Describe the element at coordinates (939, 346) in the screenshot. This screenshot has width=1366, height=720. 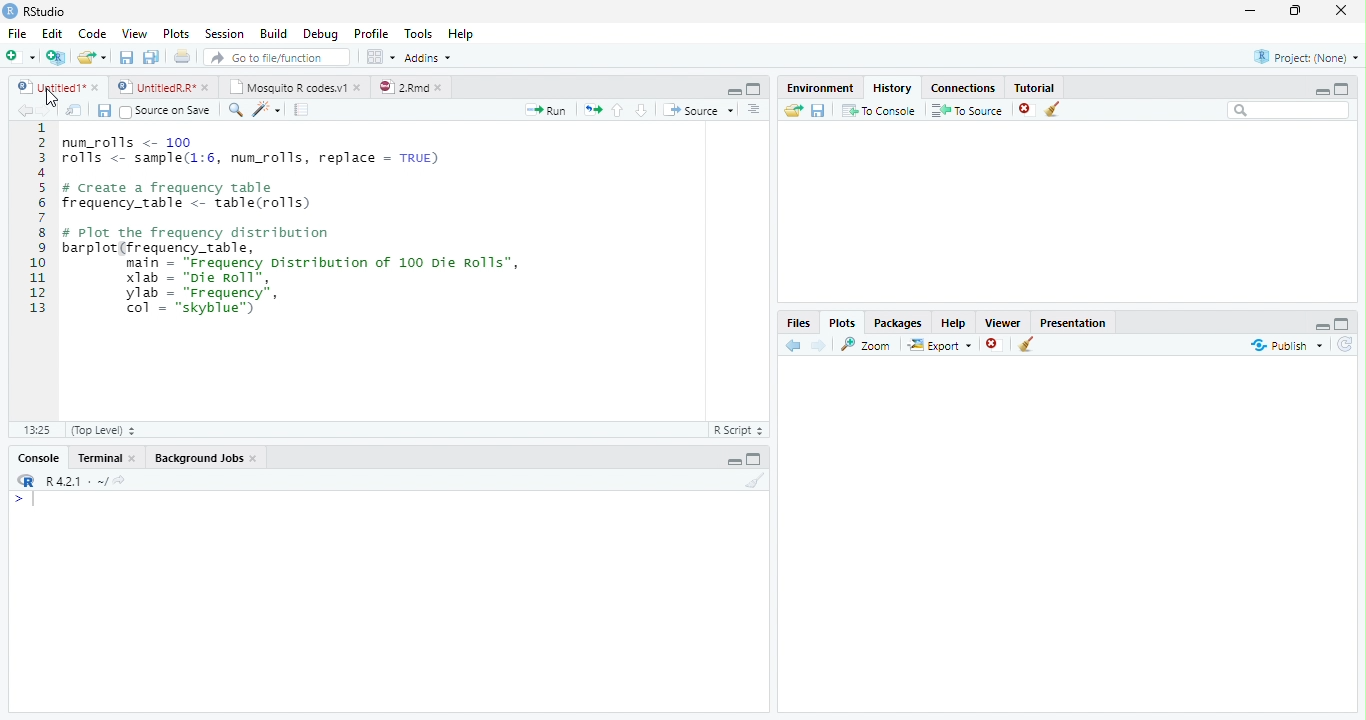
I see `Export` at that location.